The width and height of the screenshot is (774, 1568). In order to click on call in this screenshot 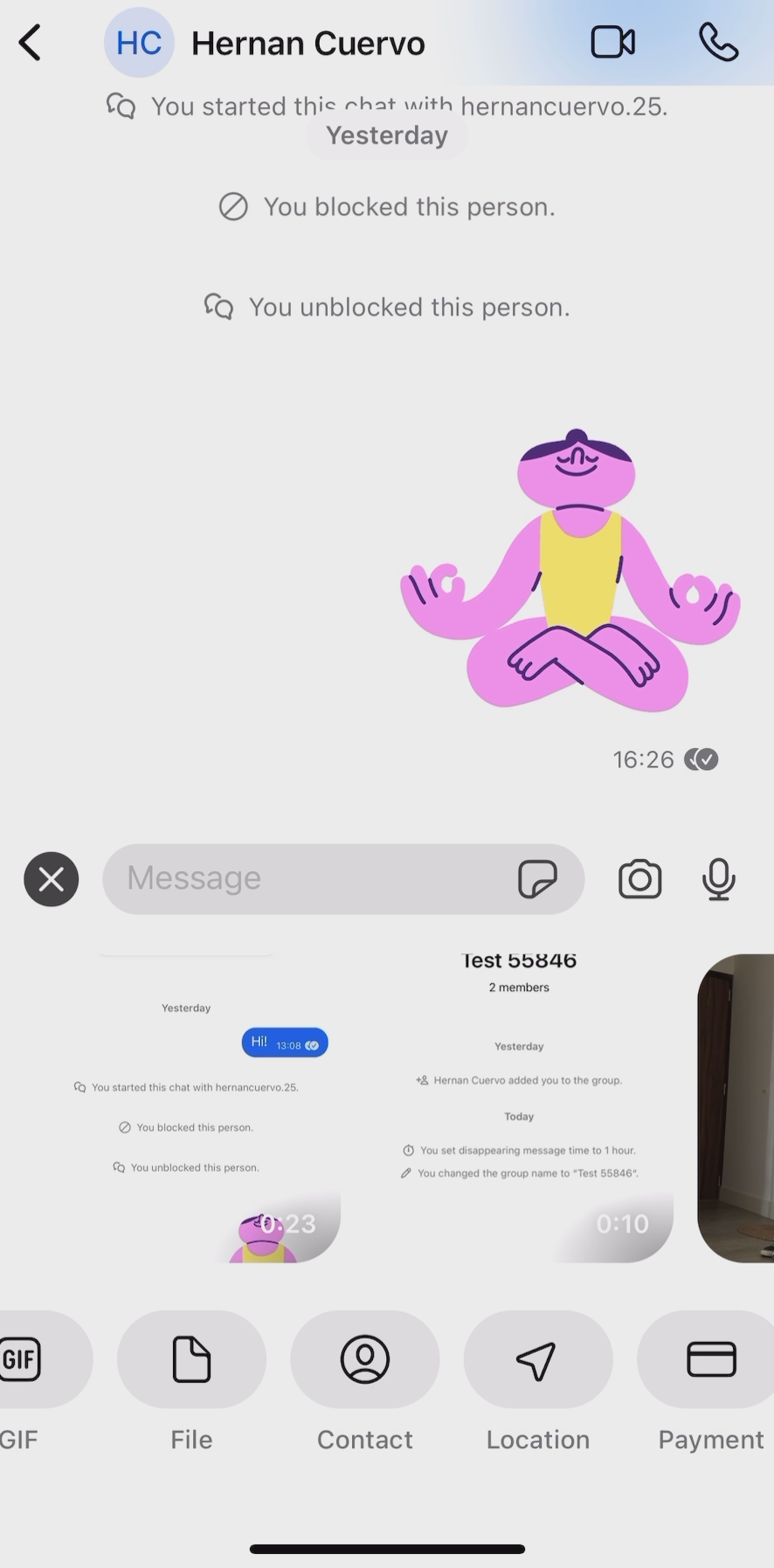, I will do `click(720, 43)`.